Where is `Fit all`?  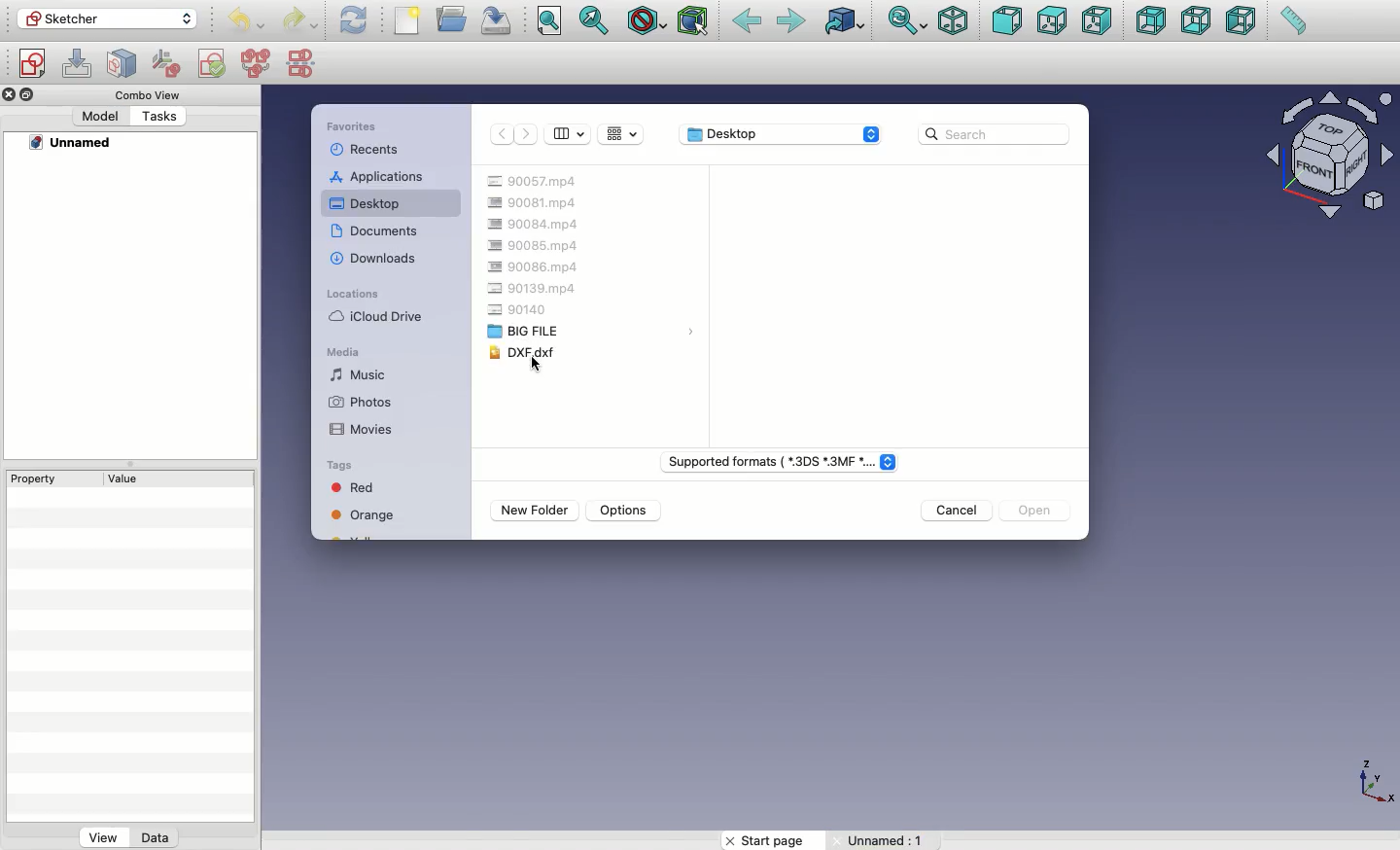 Fit all is located at coordinates (549, 20).